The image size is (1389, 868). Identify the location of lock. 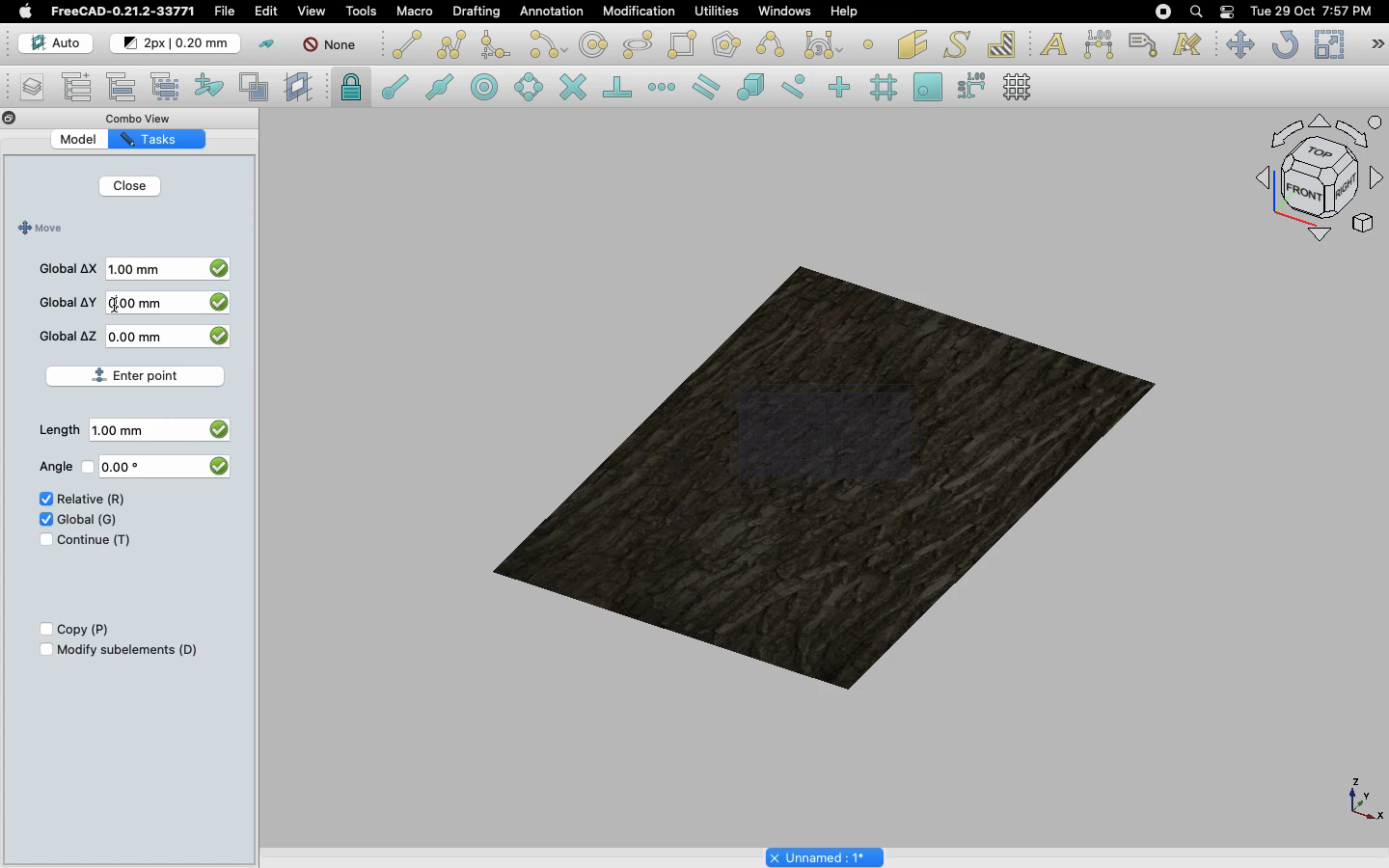
(352, 90).